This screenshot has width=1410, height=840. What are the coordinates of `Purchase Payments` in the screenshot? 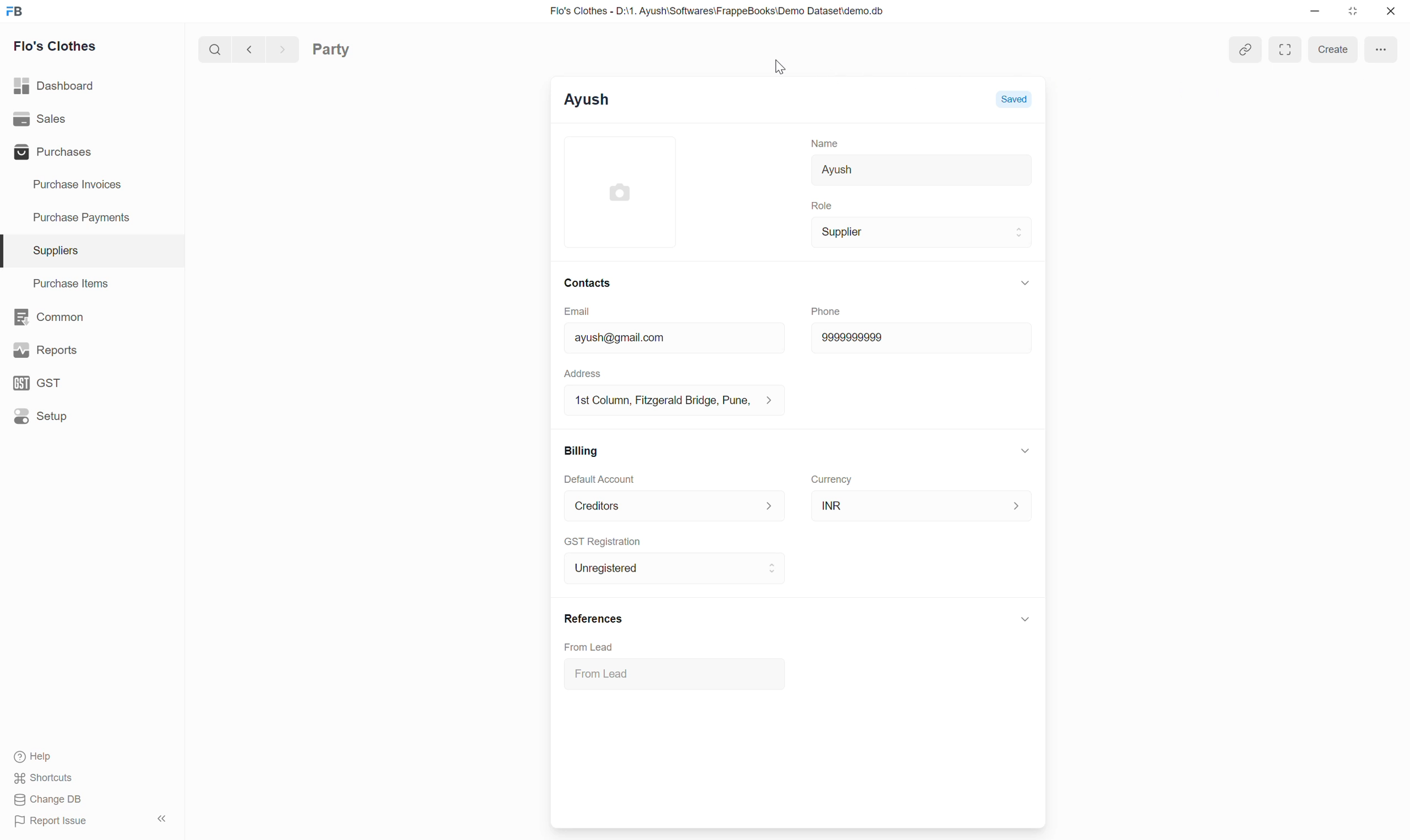 It's located at (92, 218).